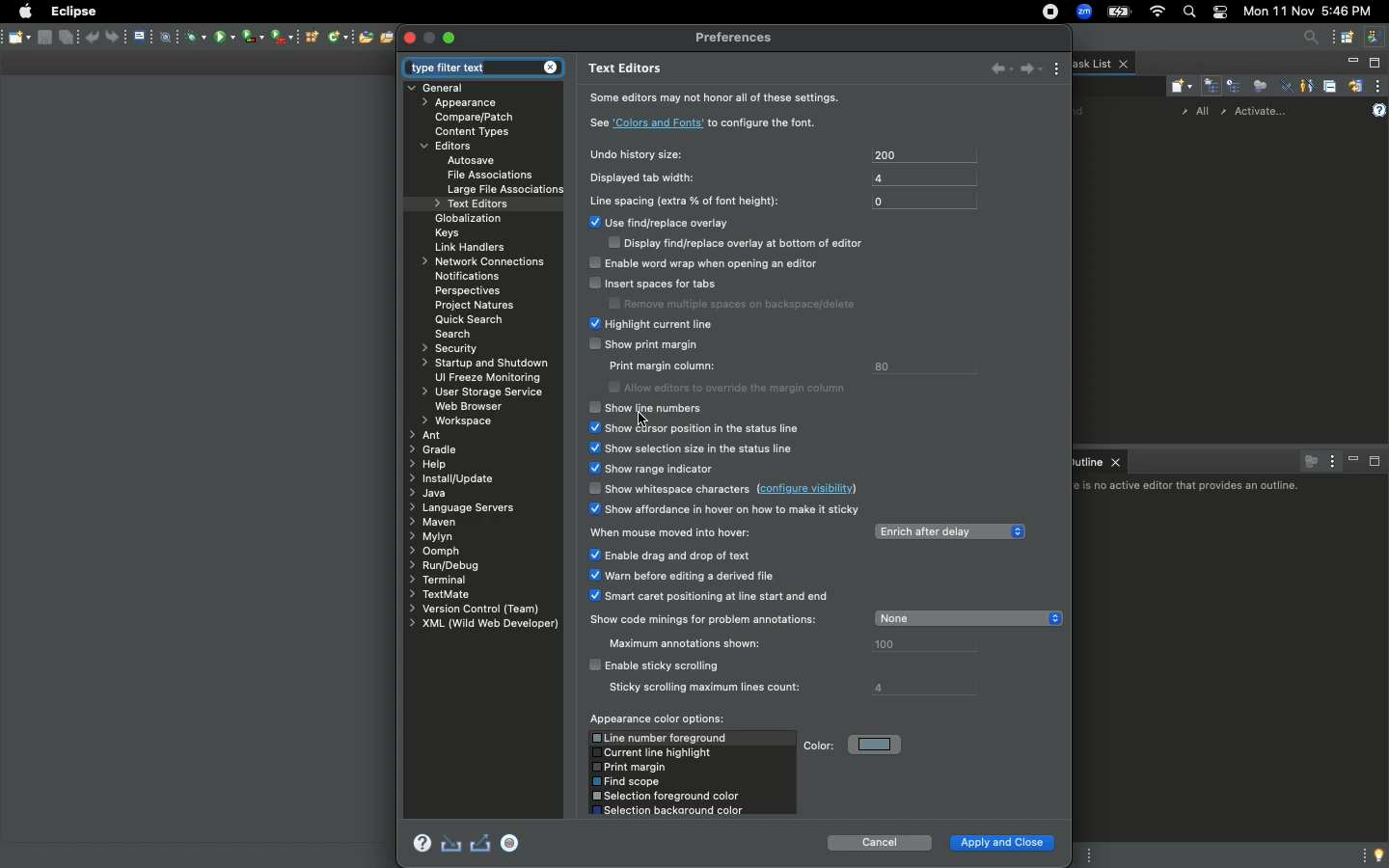 This screenshot has width=1389, height=868. Describe the element at coordinates (1380, 108) in the screenshot. I see `Help` at that location.